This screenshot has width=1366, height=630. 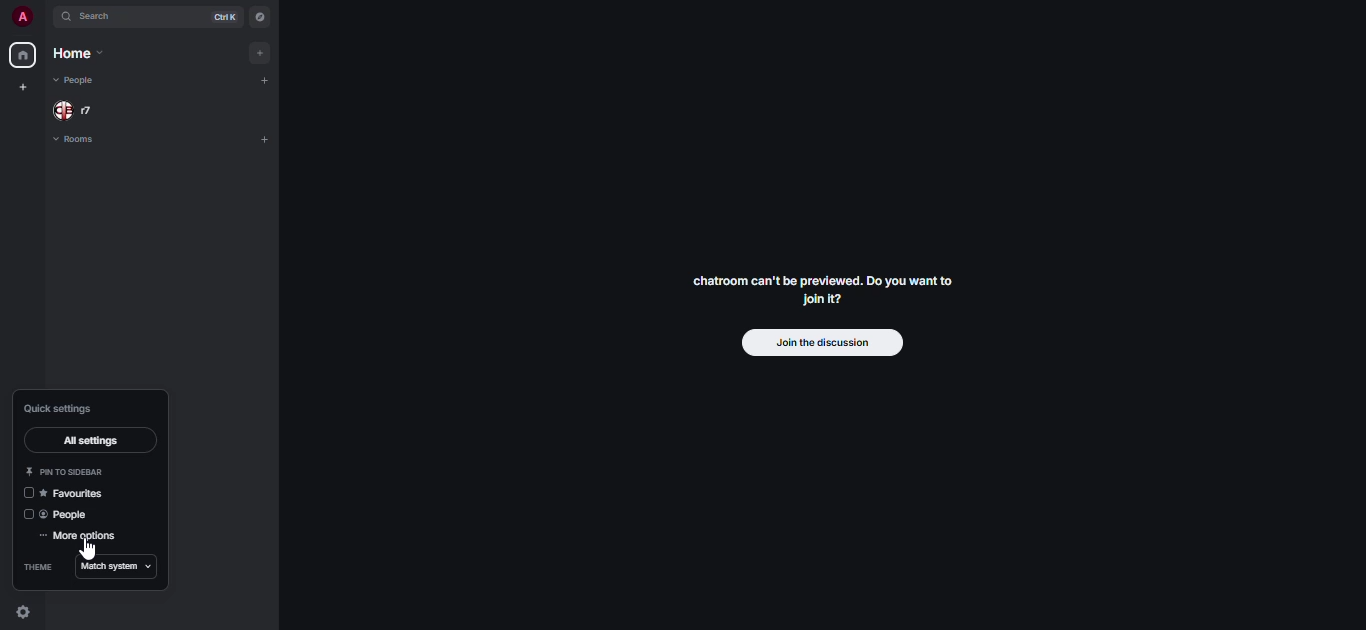 What do you see at coordinates (46, 16) in the screenshot?
I see `expand` at bounding box center [46, 16].